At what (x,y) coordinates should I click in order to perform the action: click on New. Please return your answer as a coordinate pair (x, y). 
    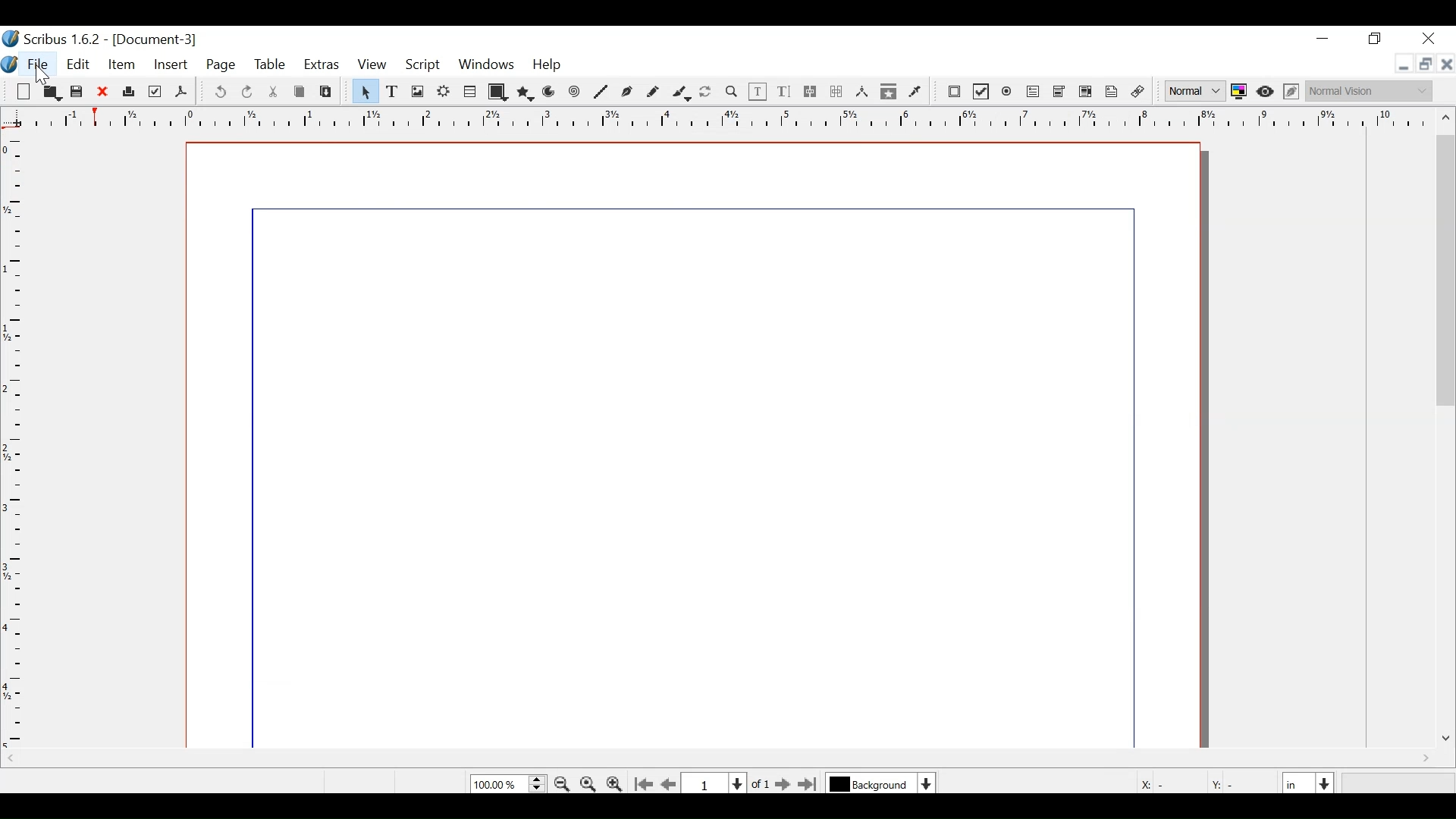
    Looking at the image, I should click on (27, 93).